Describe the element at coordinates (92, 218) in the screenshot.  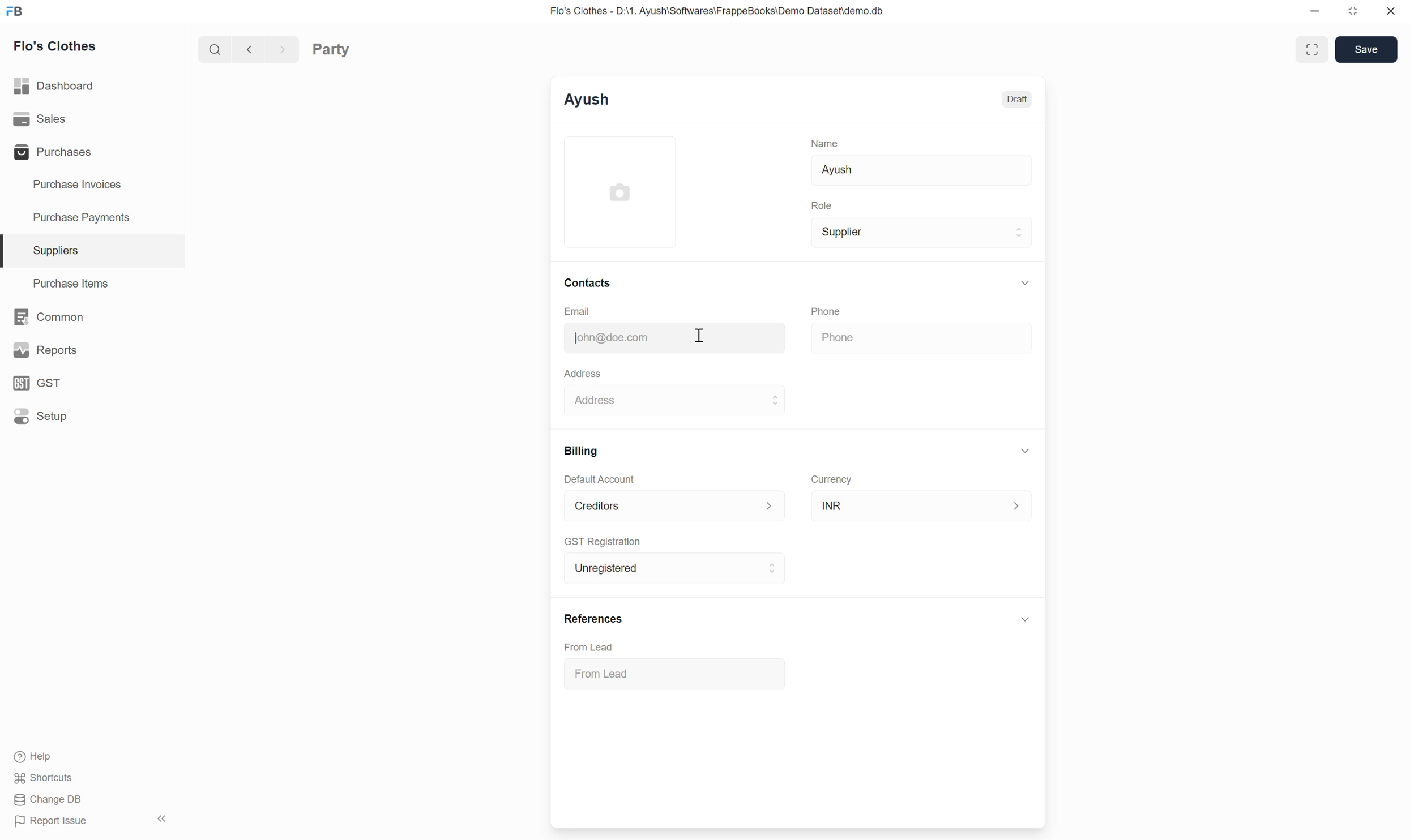
I see `Purchase Payments` at that location.